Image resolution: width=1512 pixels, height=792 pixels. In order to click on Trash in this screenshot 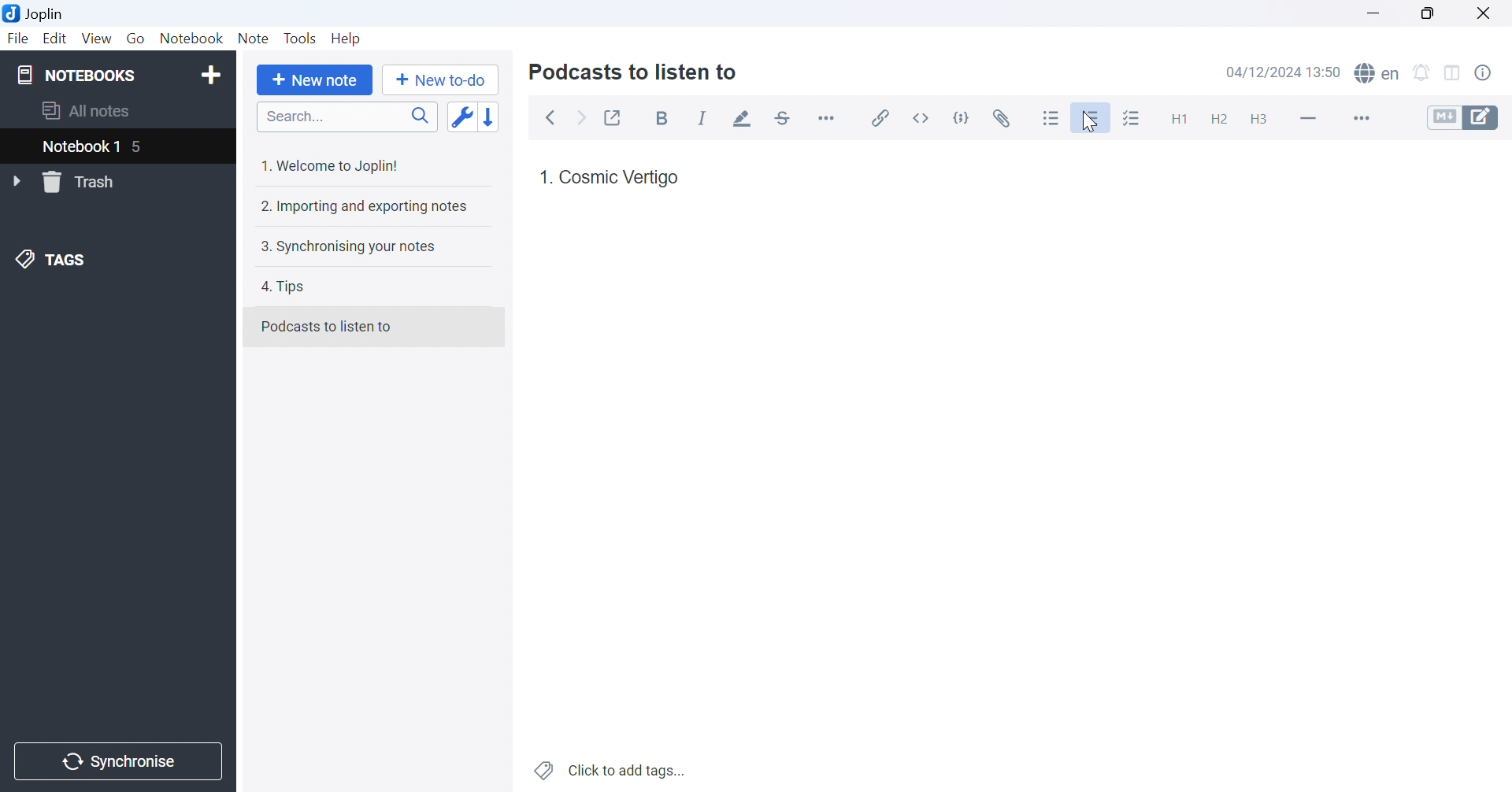, I will do `click(88, 182)`.